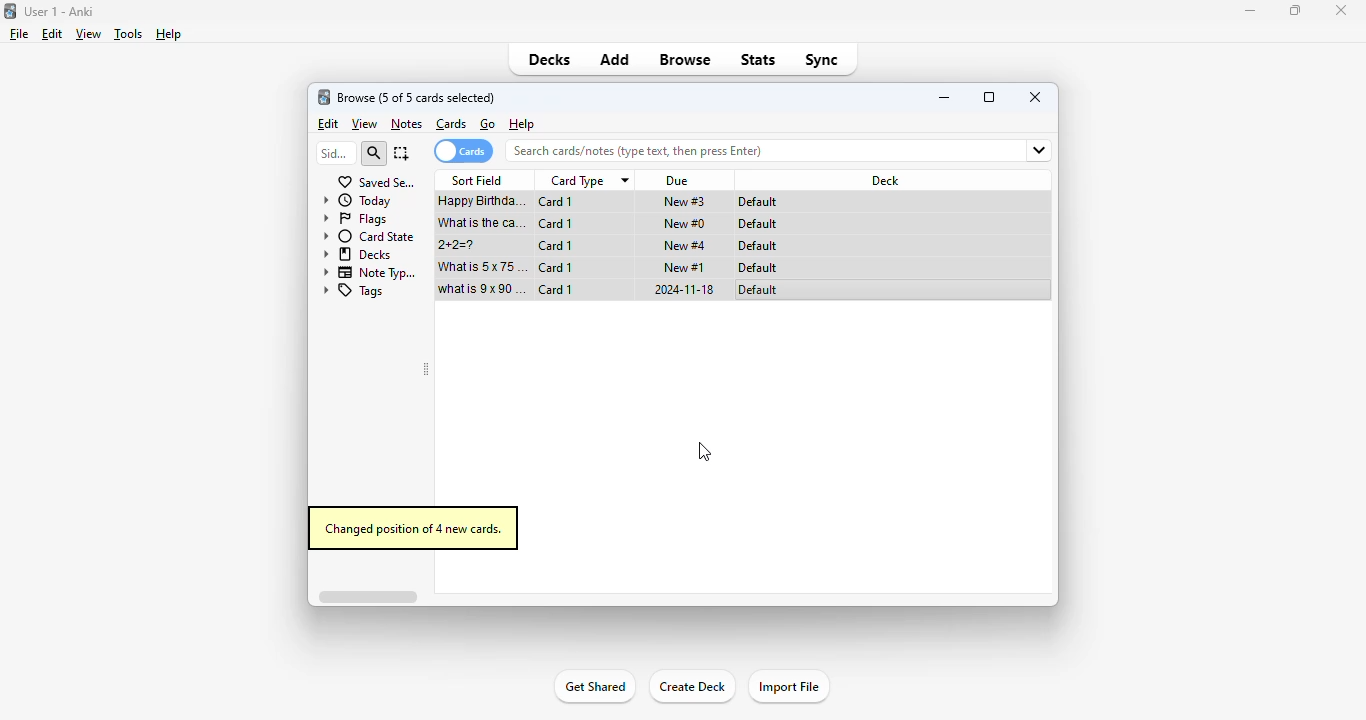  Describe the element at coordinates (463, 151) in the screenshot. I see `cards` at that location.